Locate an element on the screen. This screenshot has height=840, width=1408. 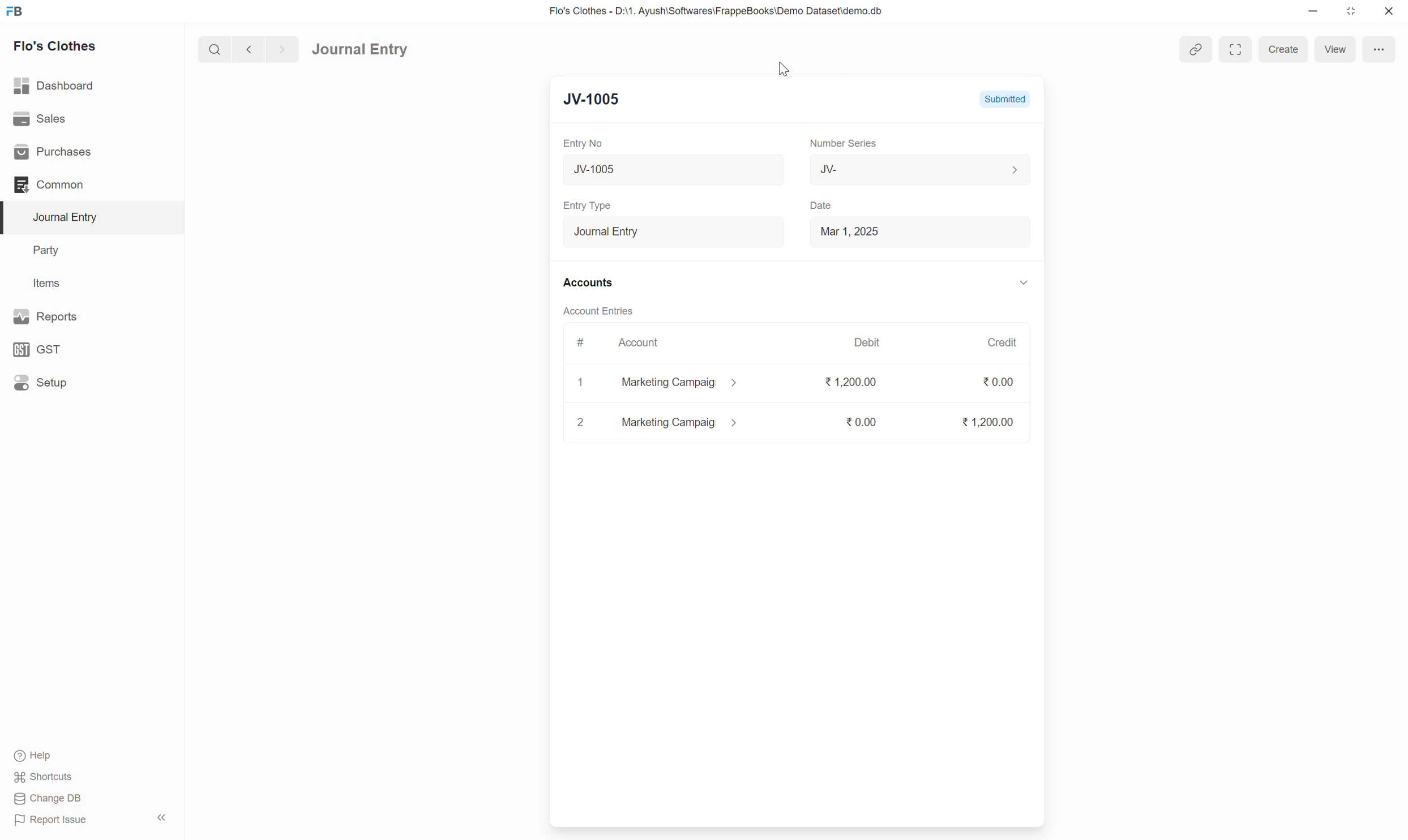
0.00 is located at coordinates (999, 382).